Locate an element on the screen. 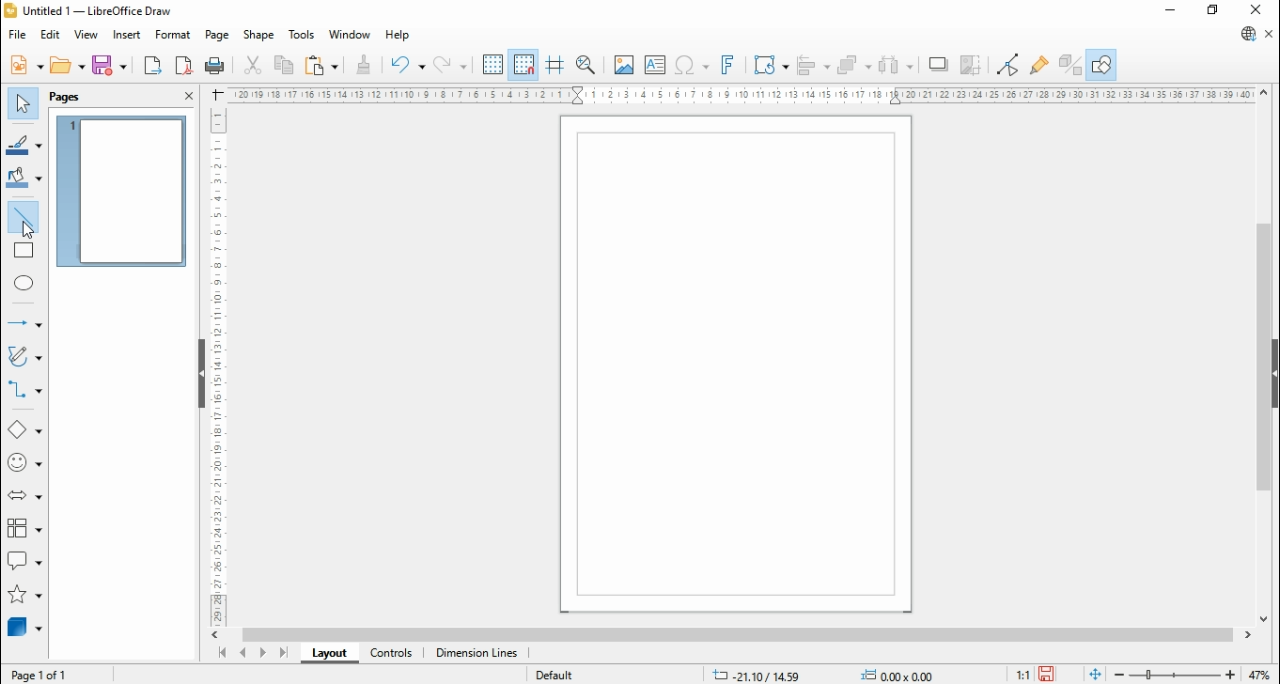  insert text box is located at coordinates (653, 64).